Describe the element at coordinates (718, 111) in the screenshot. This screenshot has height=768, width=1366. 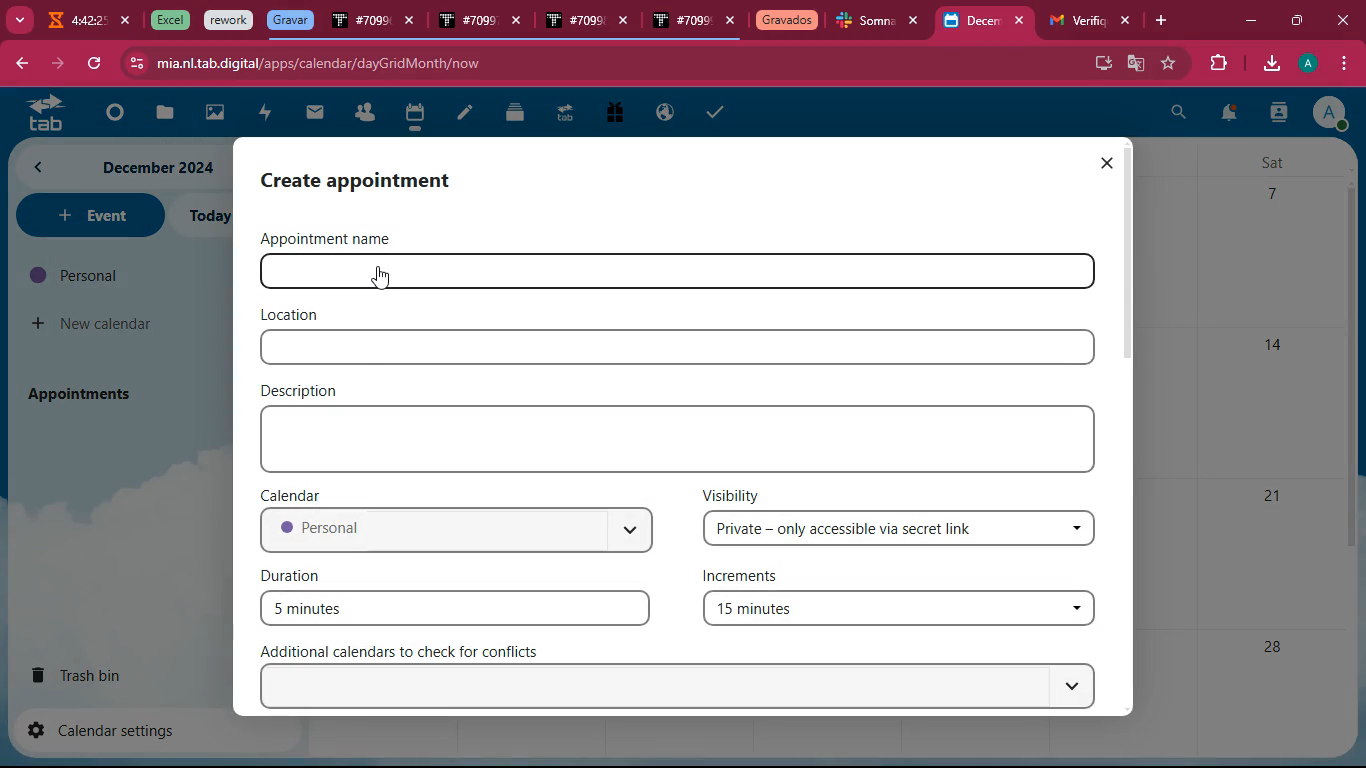
I see `taks` at that location.